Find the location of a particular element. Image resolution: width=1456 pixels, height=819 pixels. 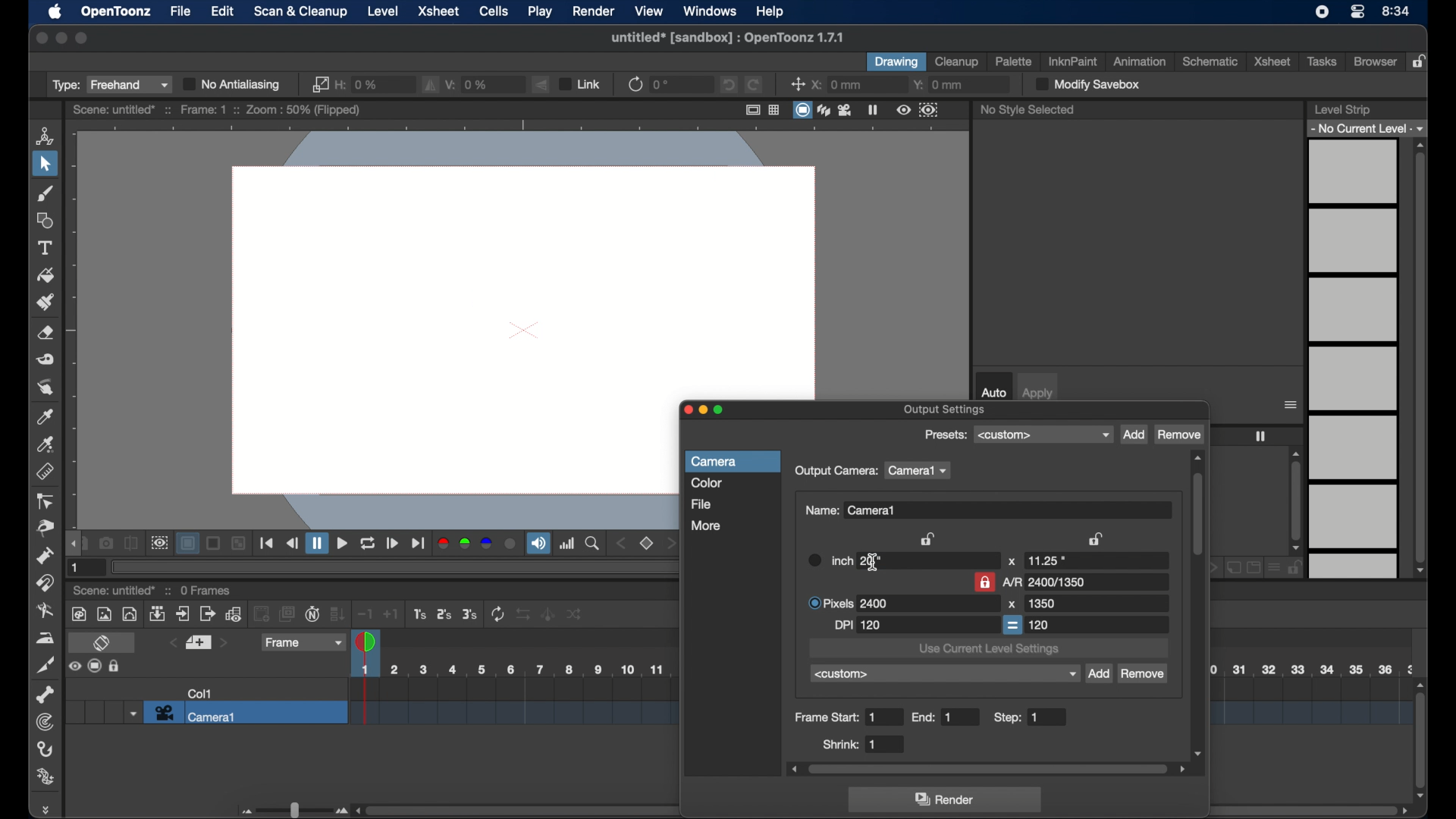

120 is located at coordinates (1040, 624).